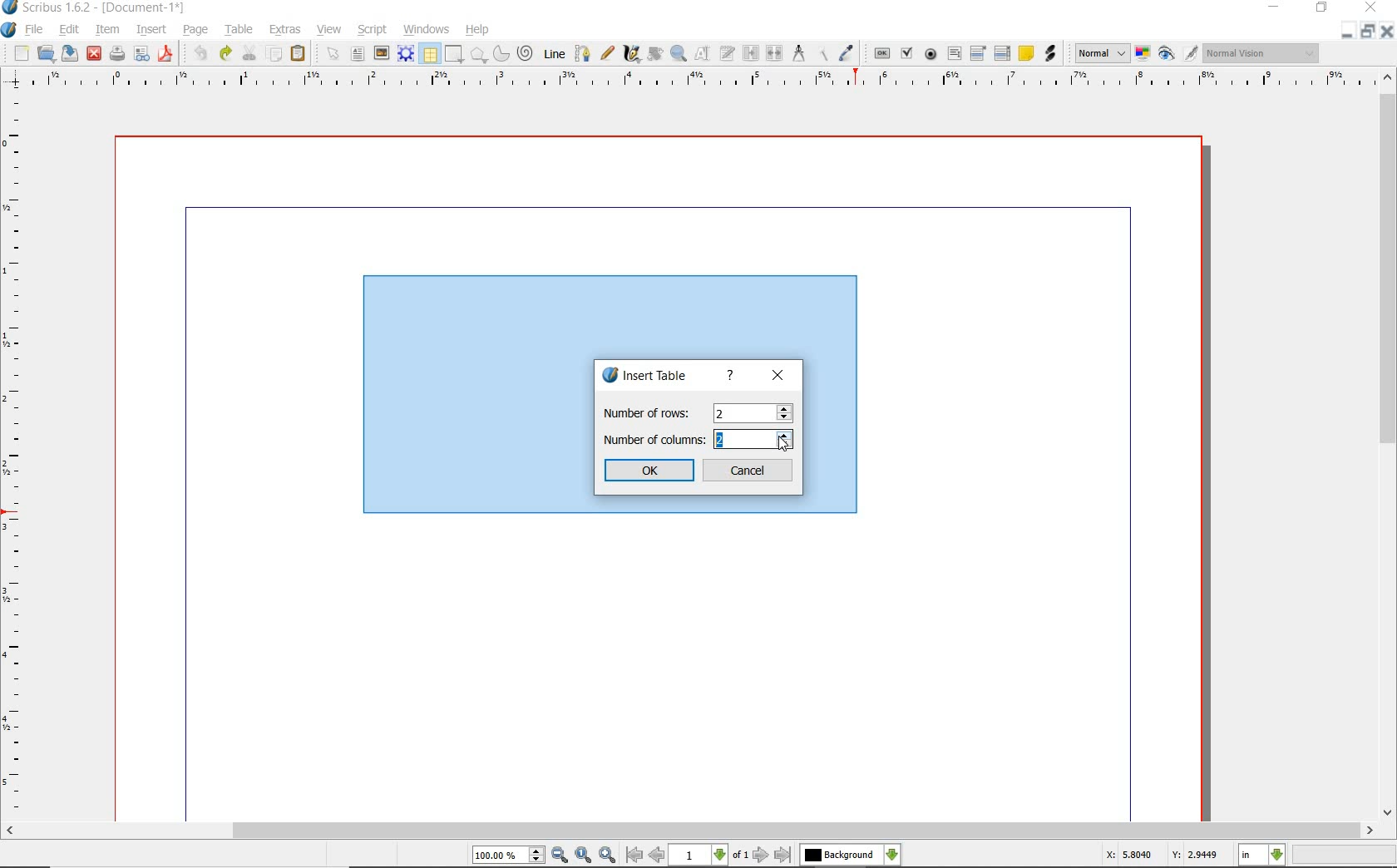  What do you see at coordinates (650, 377) in the screenshot?
I see `Insert Table` at bounding box center [650, 377].